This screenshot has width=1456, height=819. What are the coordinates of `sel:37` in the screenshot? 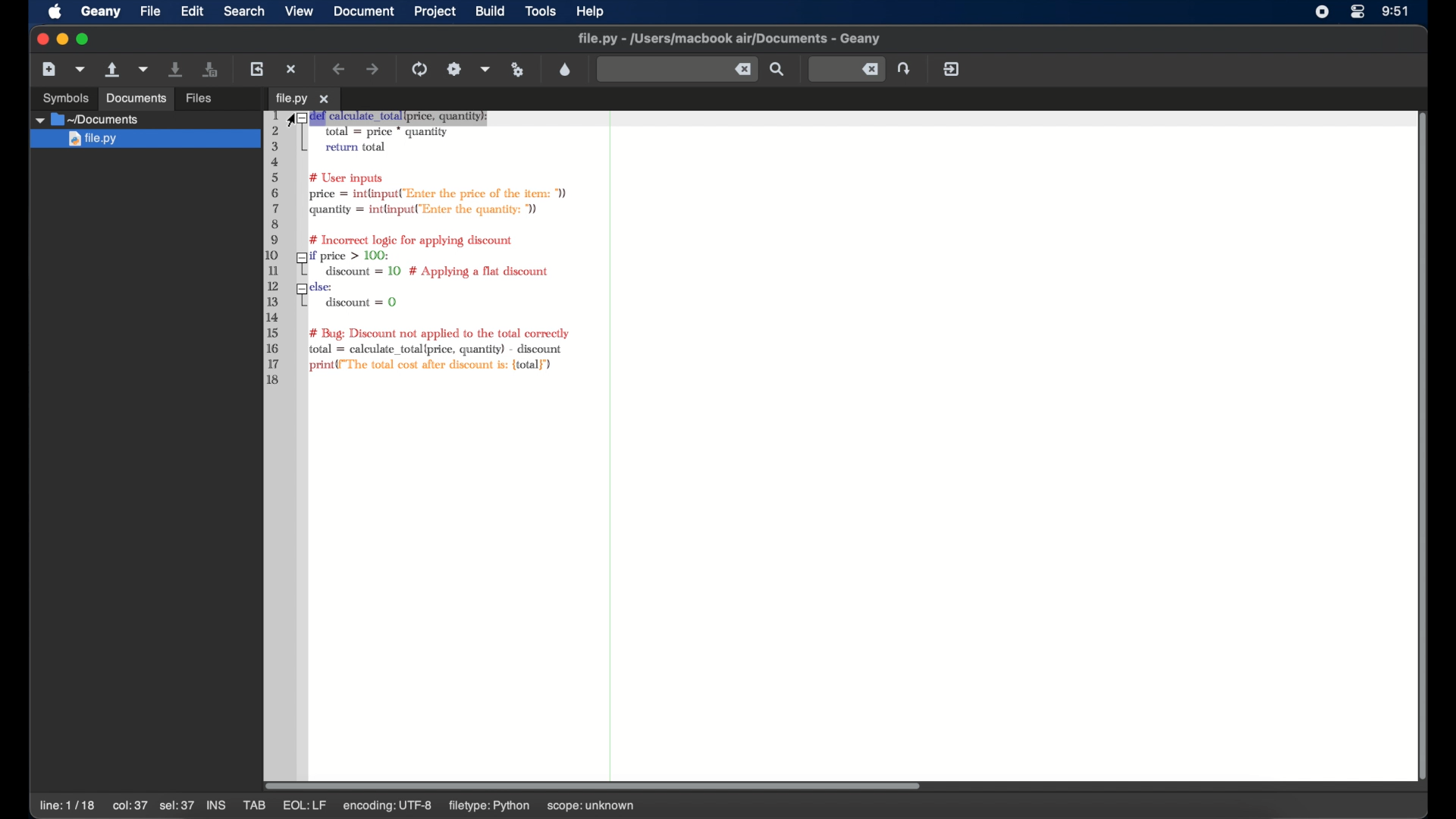 It's located at (177, 806).